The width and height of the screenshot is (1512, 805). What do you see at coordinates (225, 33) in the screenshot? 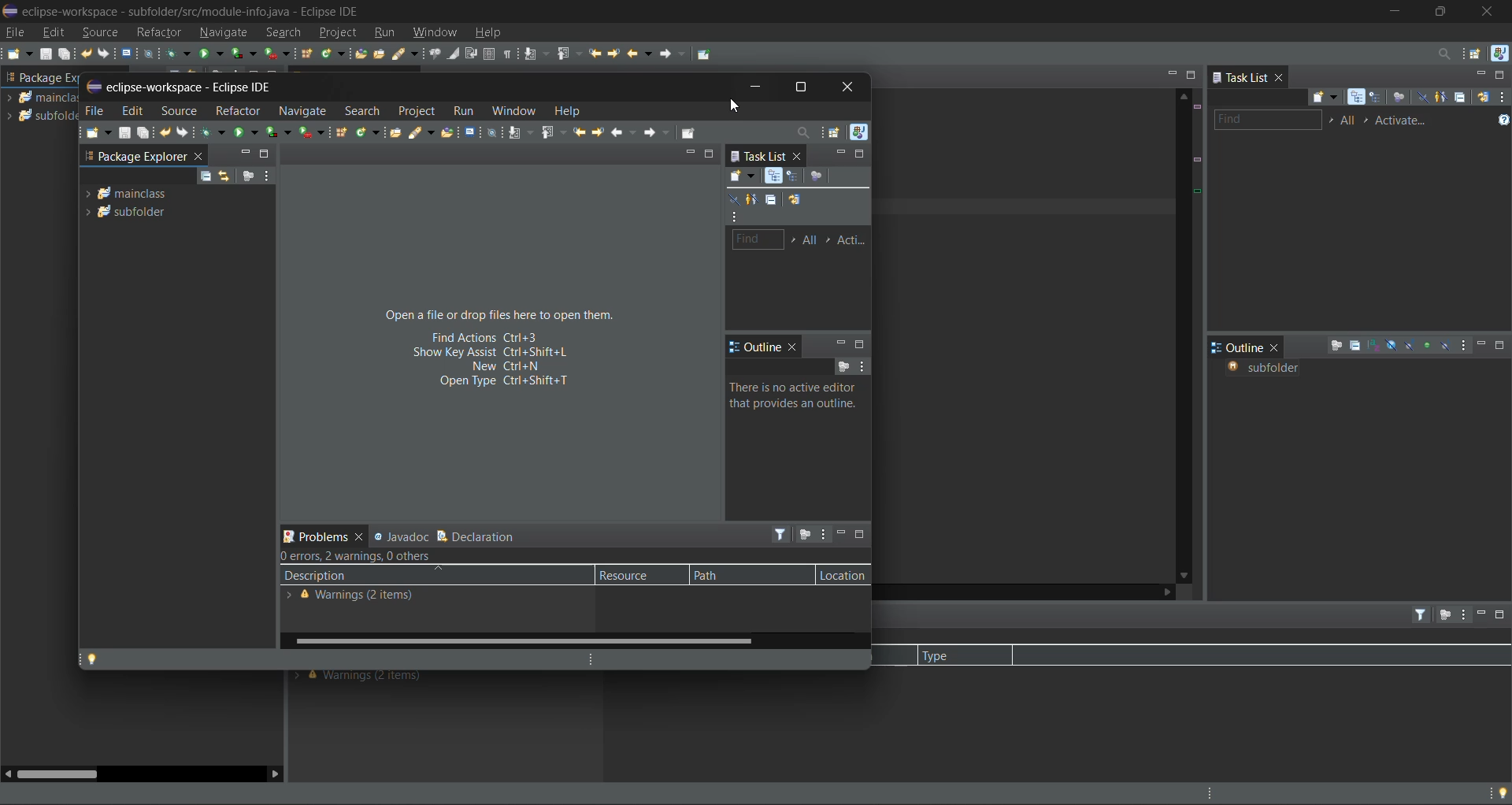
I see `navigate` at bounding box center [225, 33].